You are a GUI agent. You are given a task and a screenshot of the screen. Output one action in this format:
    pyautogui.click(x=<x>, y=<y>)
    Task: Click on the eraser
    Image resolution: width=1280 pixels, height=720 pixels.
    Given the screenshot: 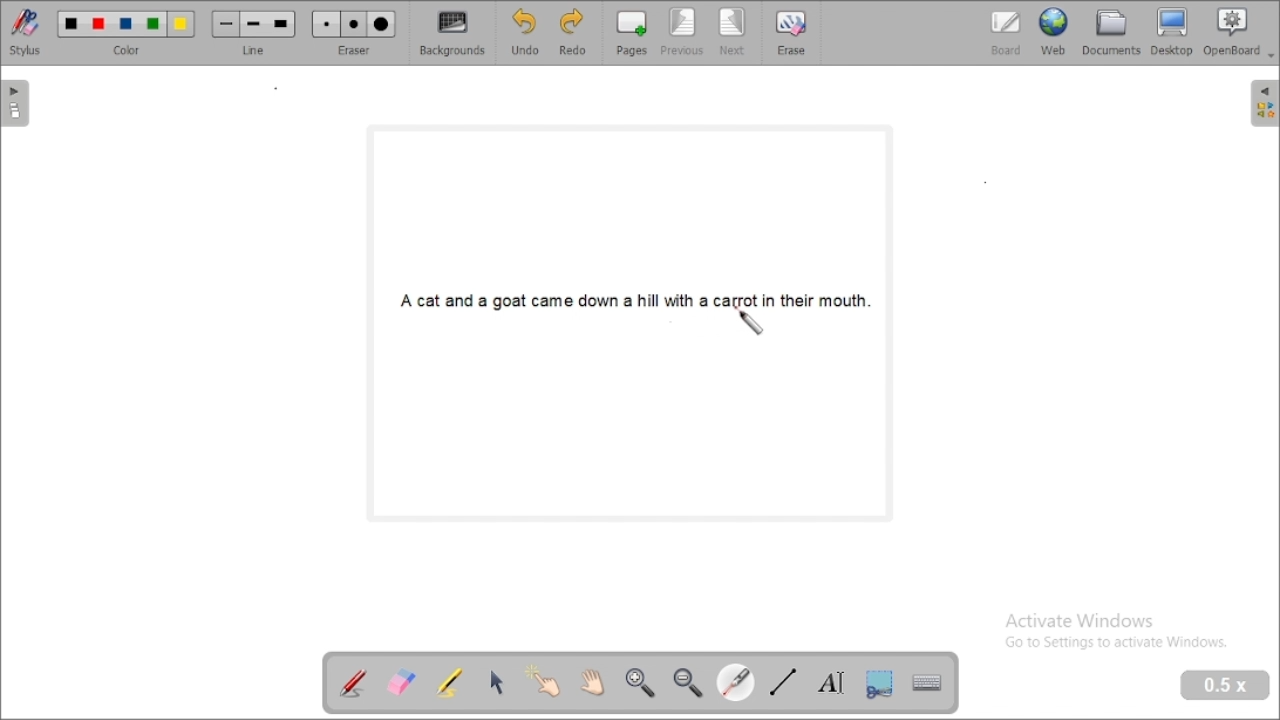 What is the action you would take?
    pyautogui.click(x=353, y=33)
    